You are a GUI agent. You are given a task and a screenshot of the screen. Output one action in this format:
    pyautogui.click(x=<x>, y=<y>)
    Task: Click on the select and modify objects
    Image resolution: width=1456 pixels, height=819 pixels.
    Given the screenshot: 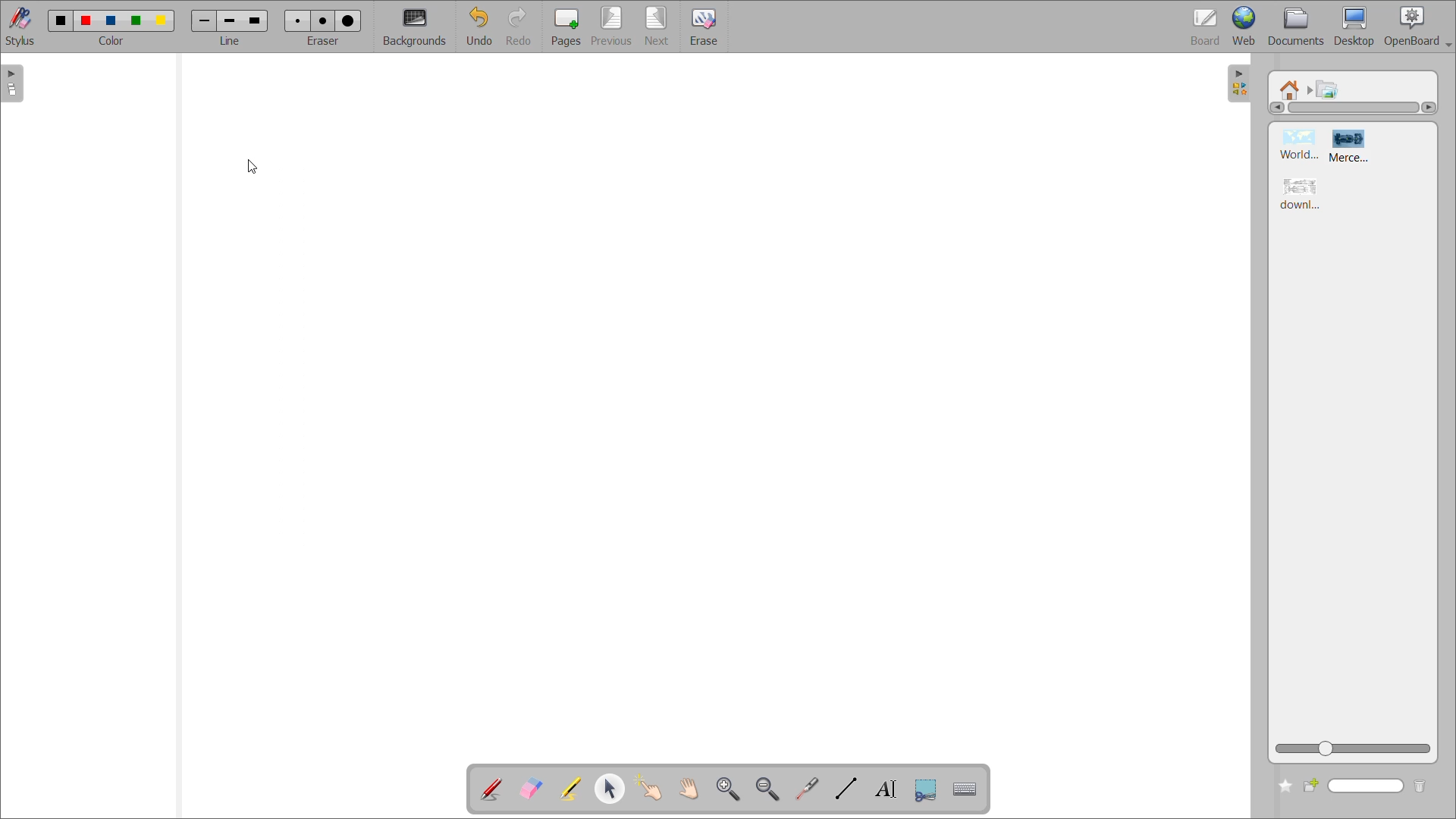 What is the action you would take?
    pyautogui.click(x=609, y=789)
    